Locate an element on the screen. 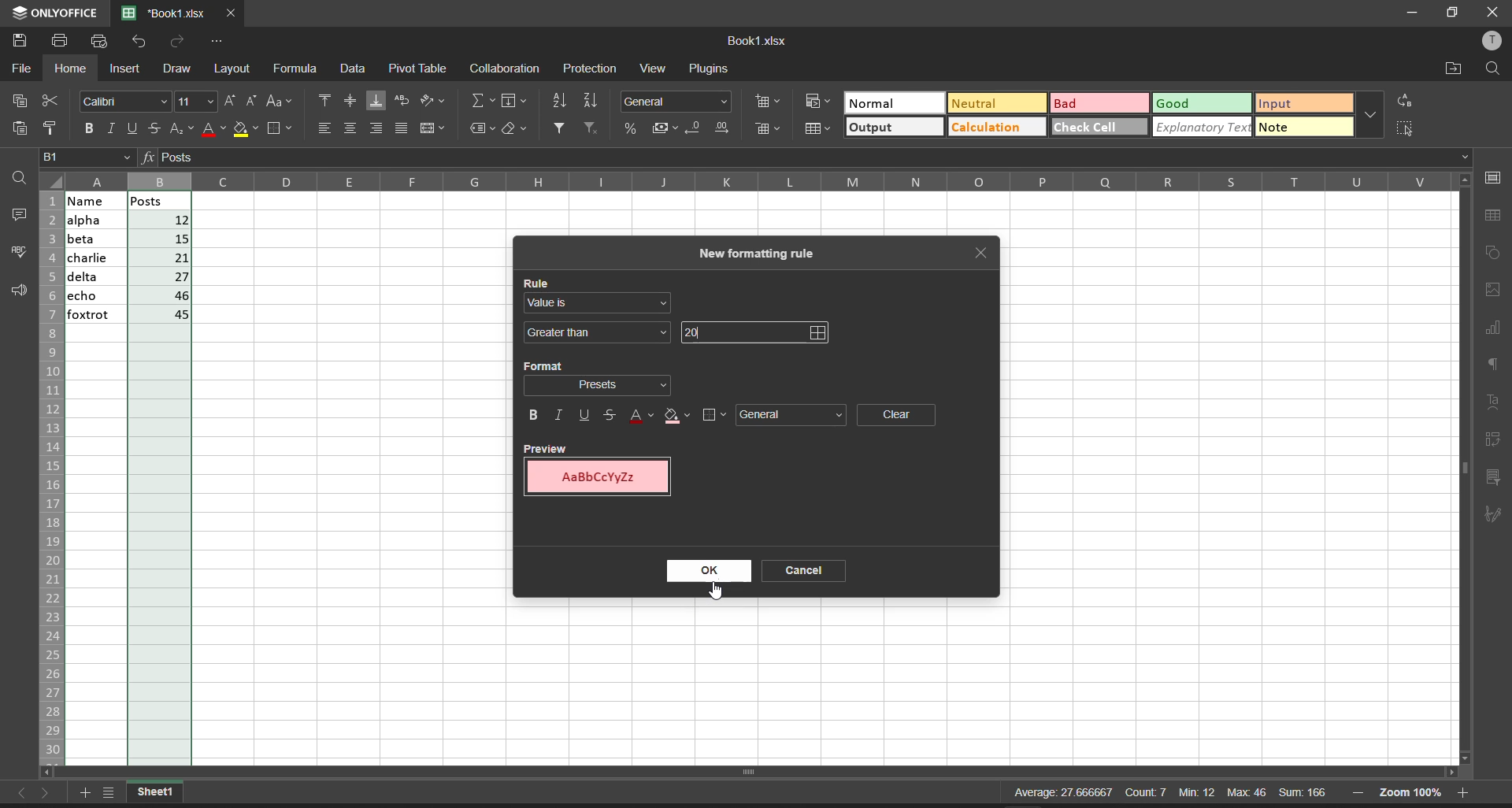 This screenshot has width=1512, height=808. layout is located at coordinates (235, 70).